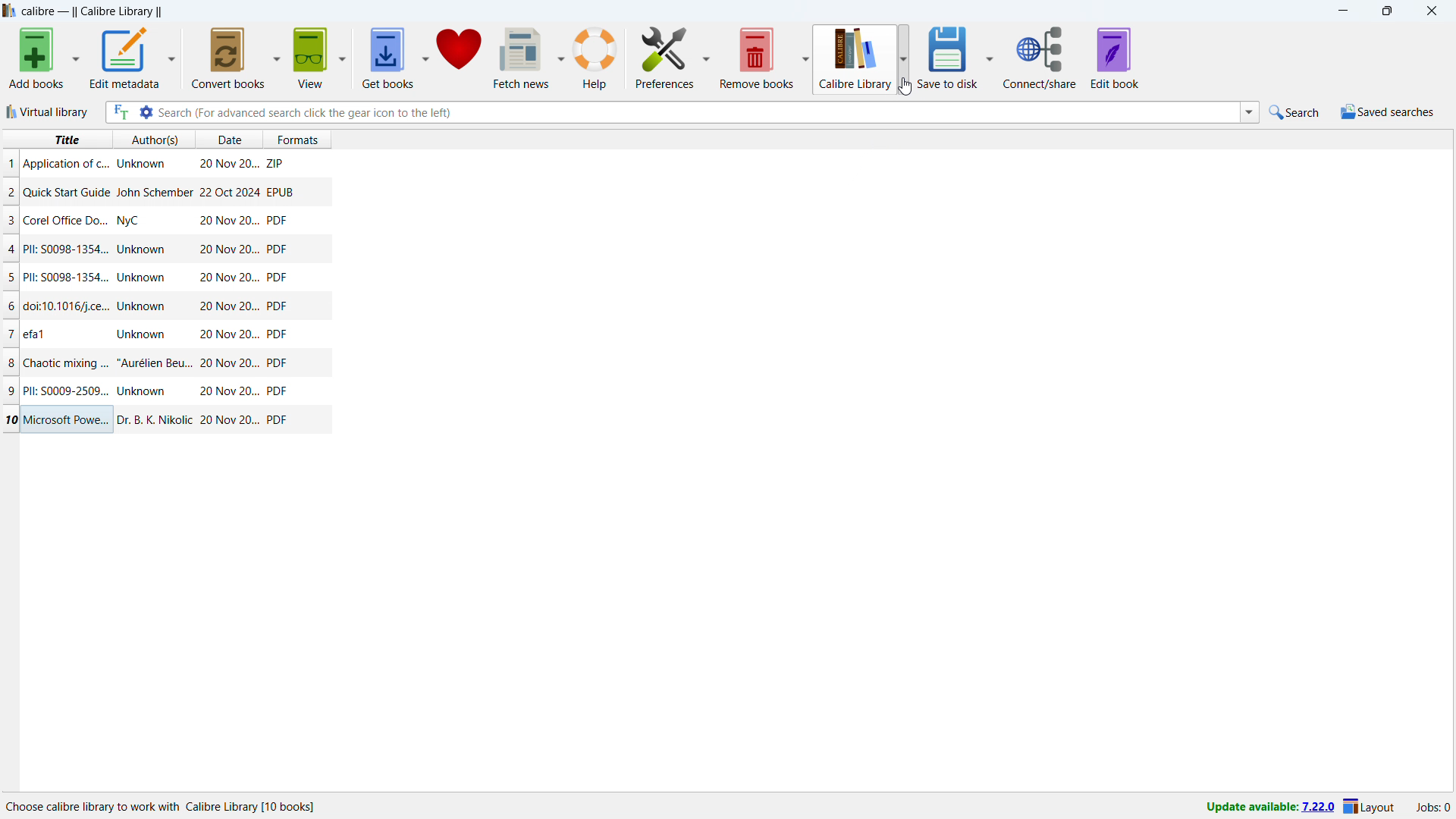 The height and width of the screenshot is (819, 1456). What do you see at coordinates (123, 58) in the screenshot?
I see `edit metadata` at bounding box center [123, 58].